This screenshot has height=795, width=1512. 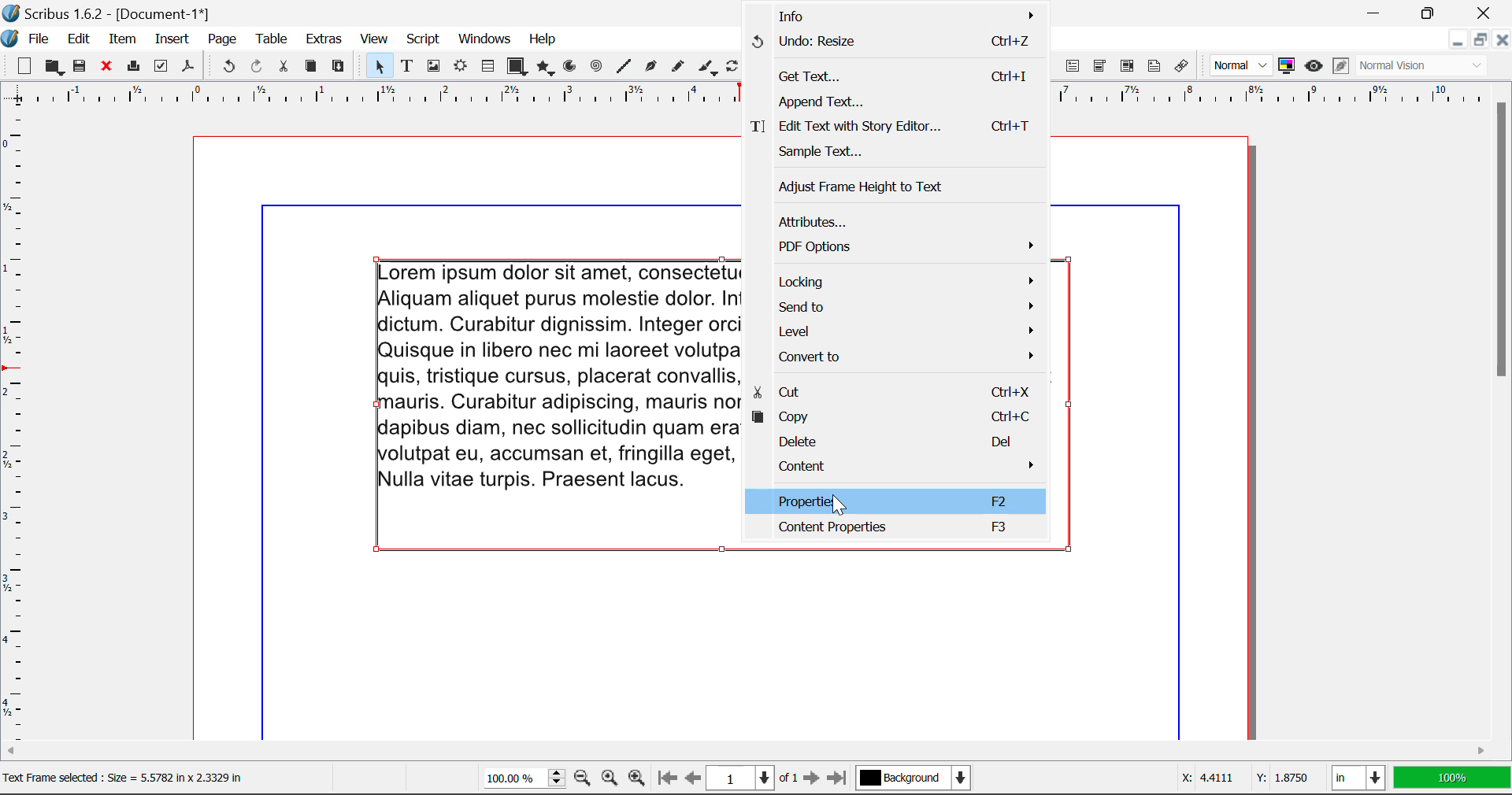 What do you see at coordinates (1099, 68) in the screenshot?
I see `PDF Combo Box` at bounding box center [1099, 68].